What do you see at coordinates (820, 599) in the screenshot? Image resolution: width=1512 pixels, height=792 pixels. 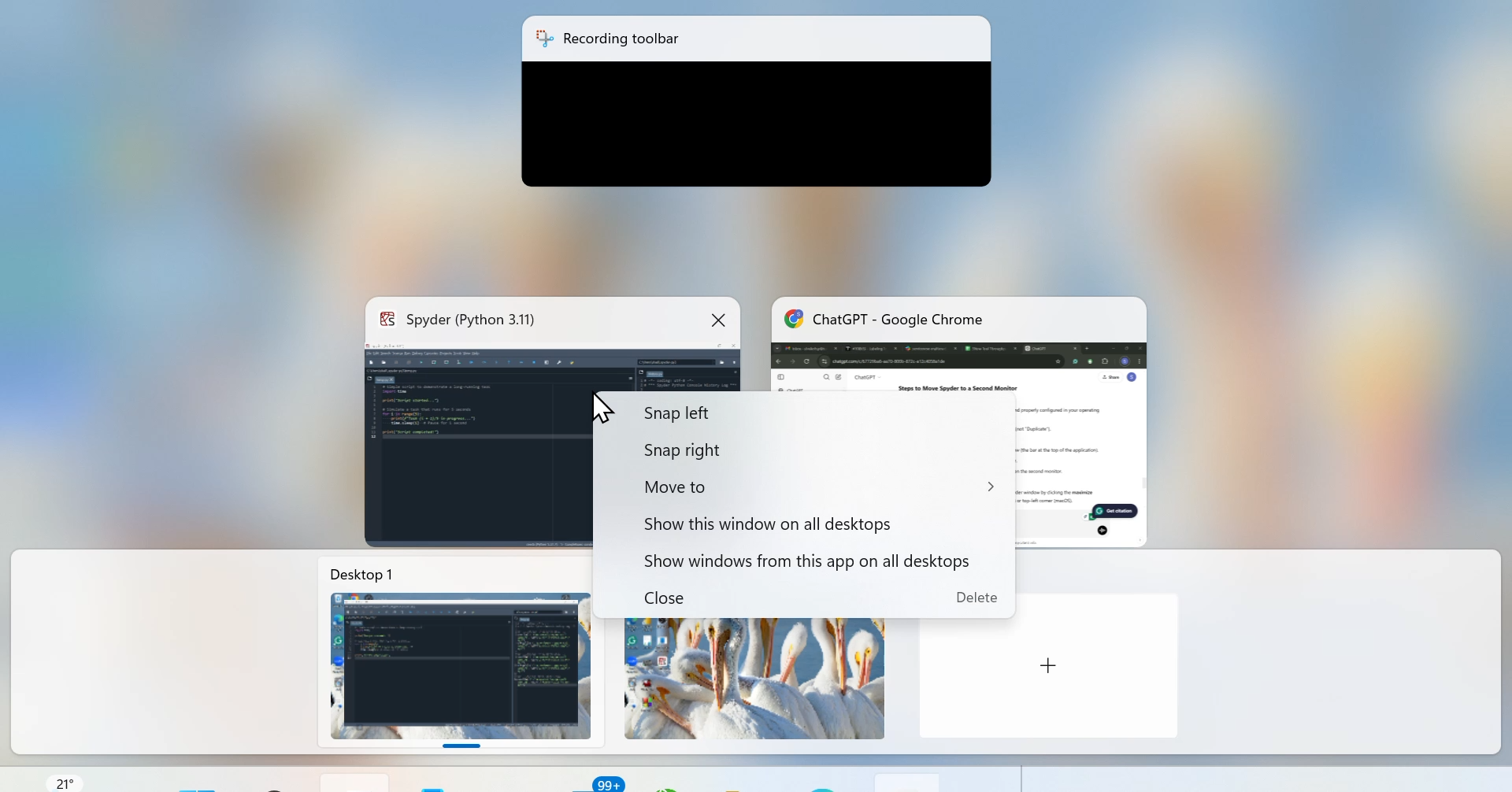 I see `Close` at bounding box center [820, 599].